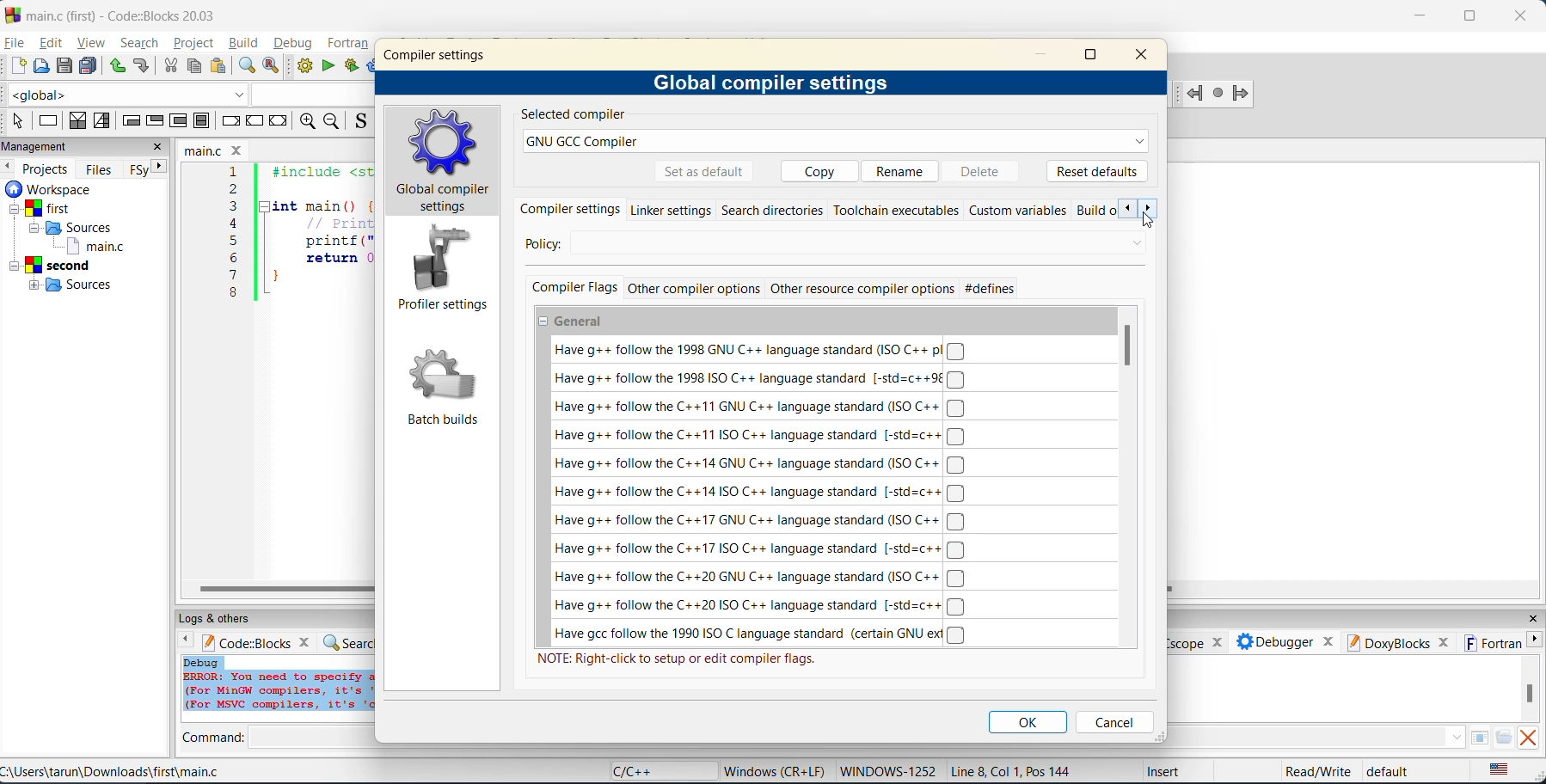 This screenshot has height=784, width=1546. Describe the element at coordinates (814, 170) in the screenshot. I see `copy` at that location.